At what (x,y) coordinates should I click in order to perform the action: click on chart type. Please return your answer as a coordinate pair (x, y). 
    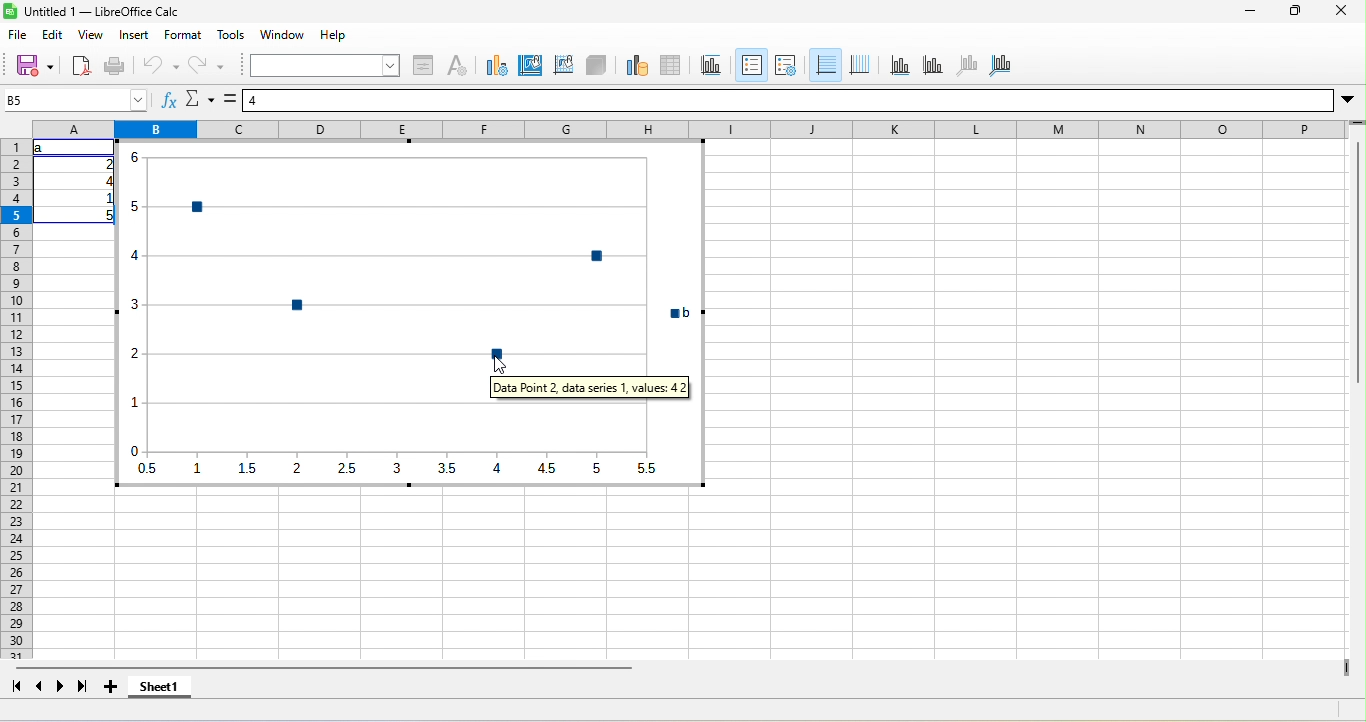
    Looking at the image, I should click on (497, 67).